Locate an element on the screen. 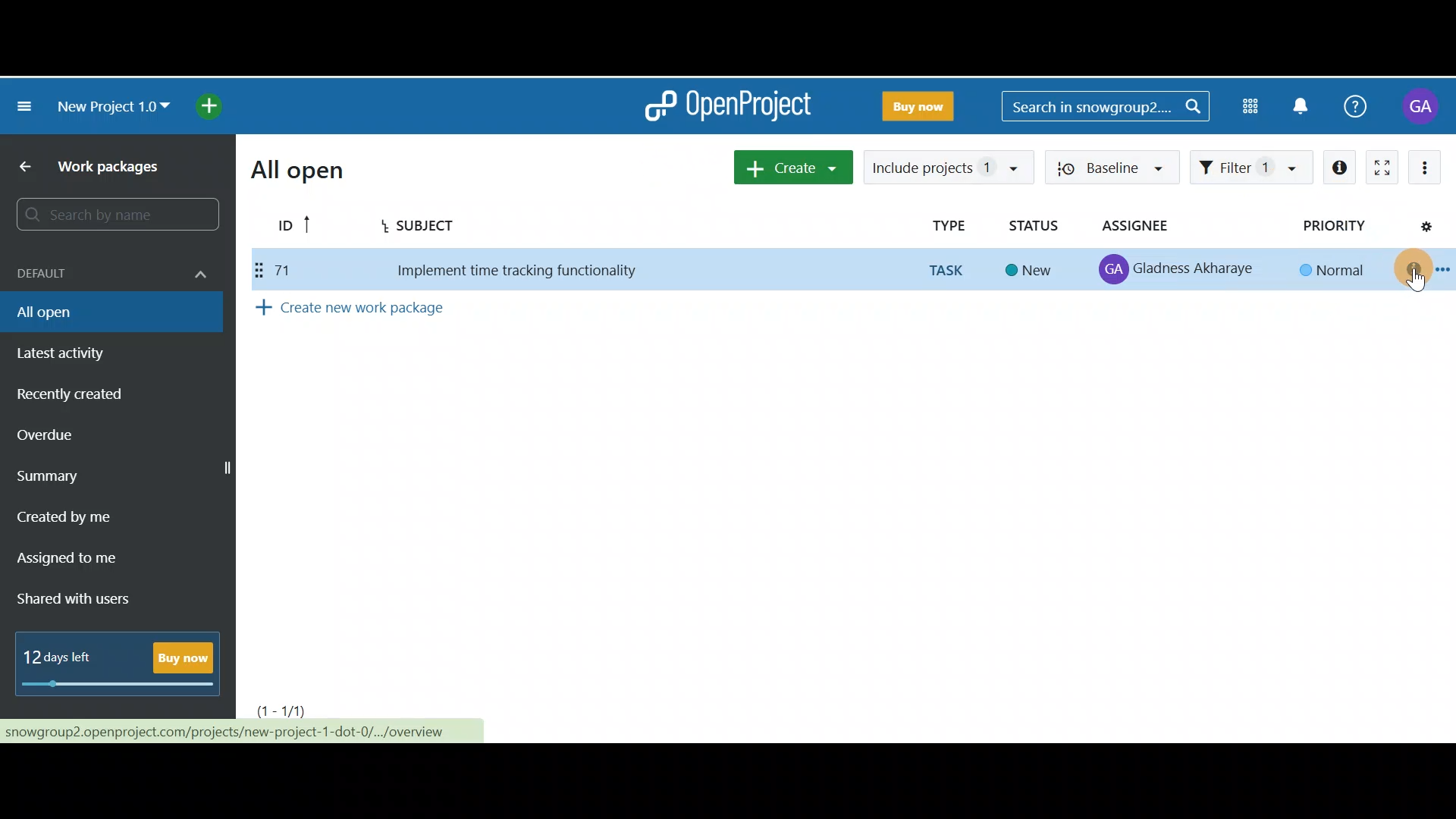 The image size is (1456, 819). All open is located at coordinates (297, 170).